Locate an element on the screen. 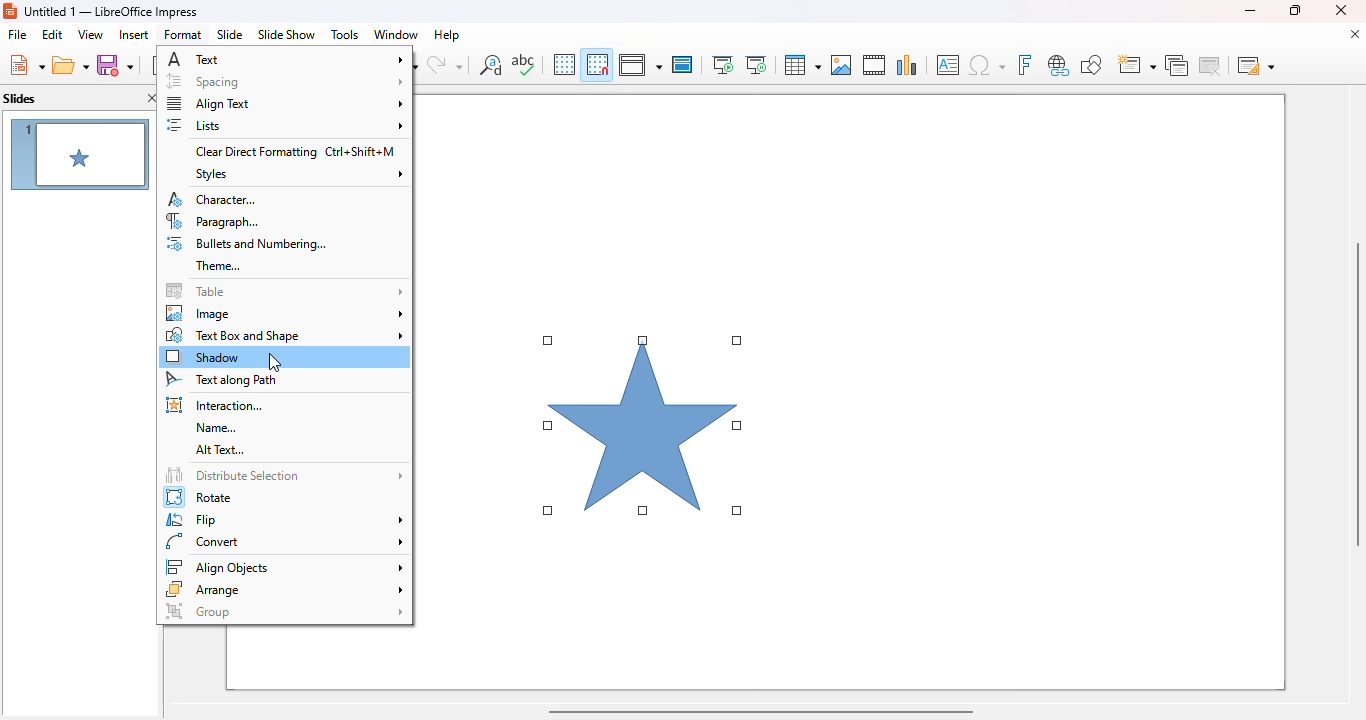  redo is located at coordinates (445, 65).